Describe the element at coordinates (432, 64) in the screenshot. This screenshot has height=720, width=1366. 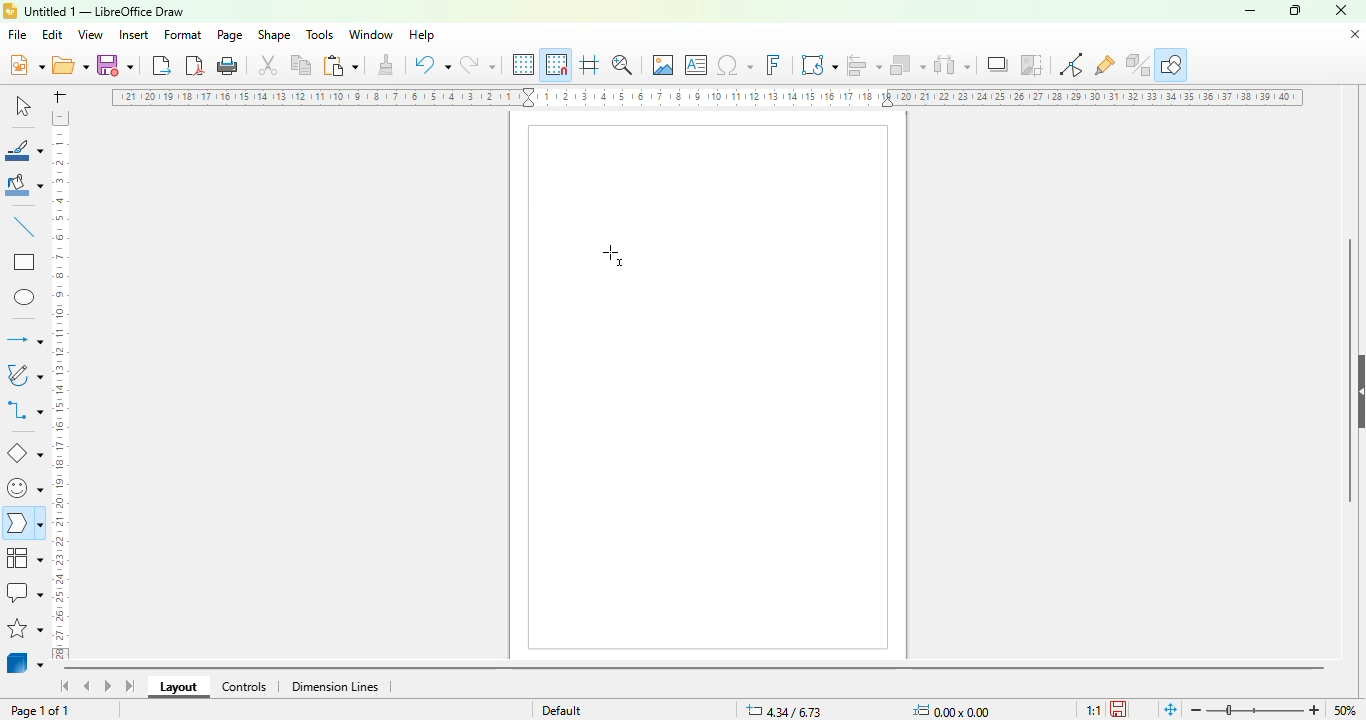
I see `undo` at that location.